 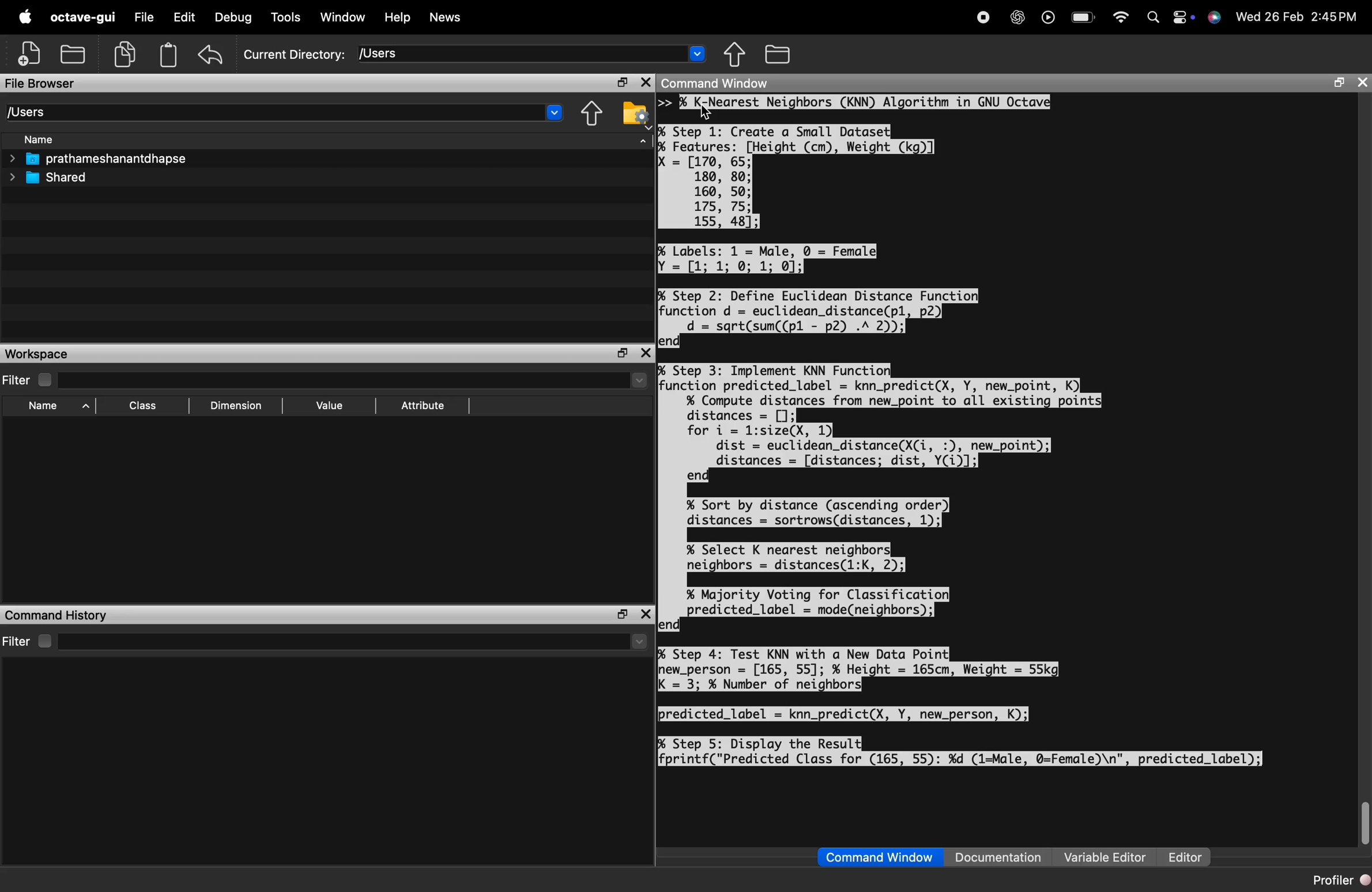 What do you see at coordinates (76, 52) in the screenshot?
I see `save` at bounding box center [76, 52].